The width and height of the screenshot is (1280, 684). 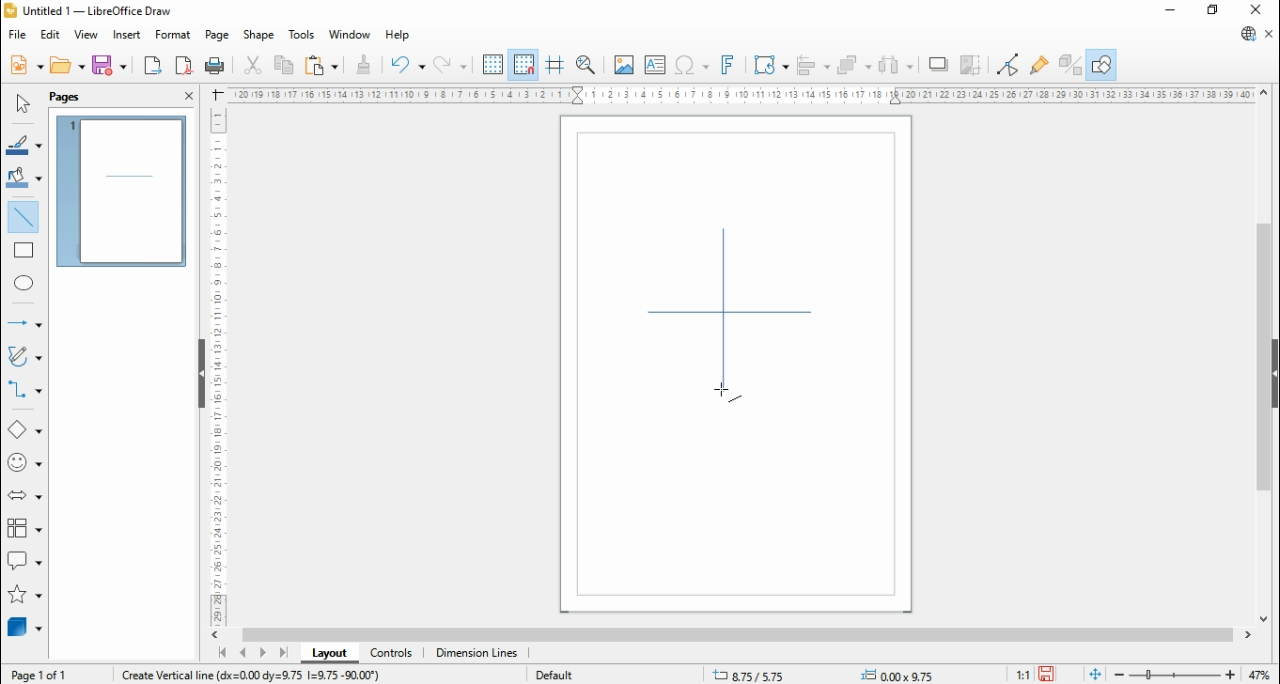 What do you see at coordinates (729, 66) in the screenshot?
I see `insert fontwork text` at bounding box center [729, 66].